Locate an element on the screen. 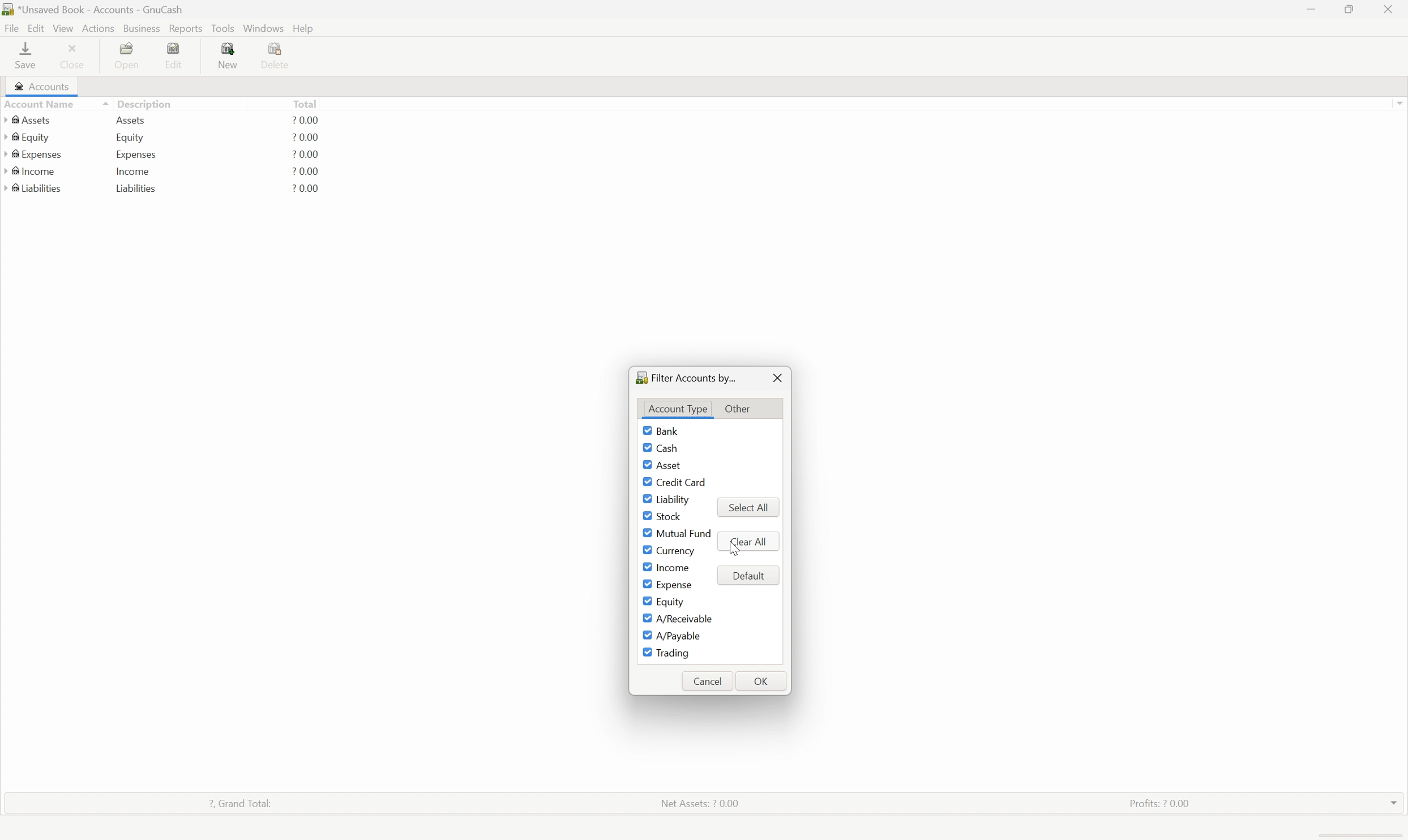 This screenshot has width=1408, height=840. Mutual fund is located at coordinates (684, 534).